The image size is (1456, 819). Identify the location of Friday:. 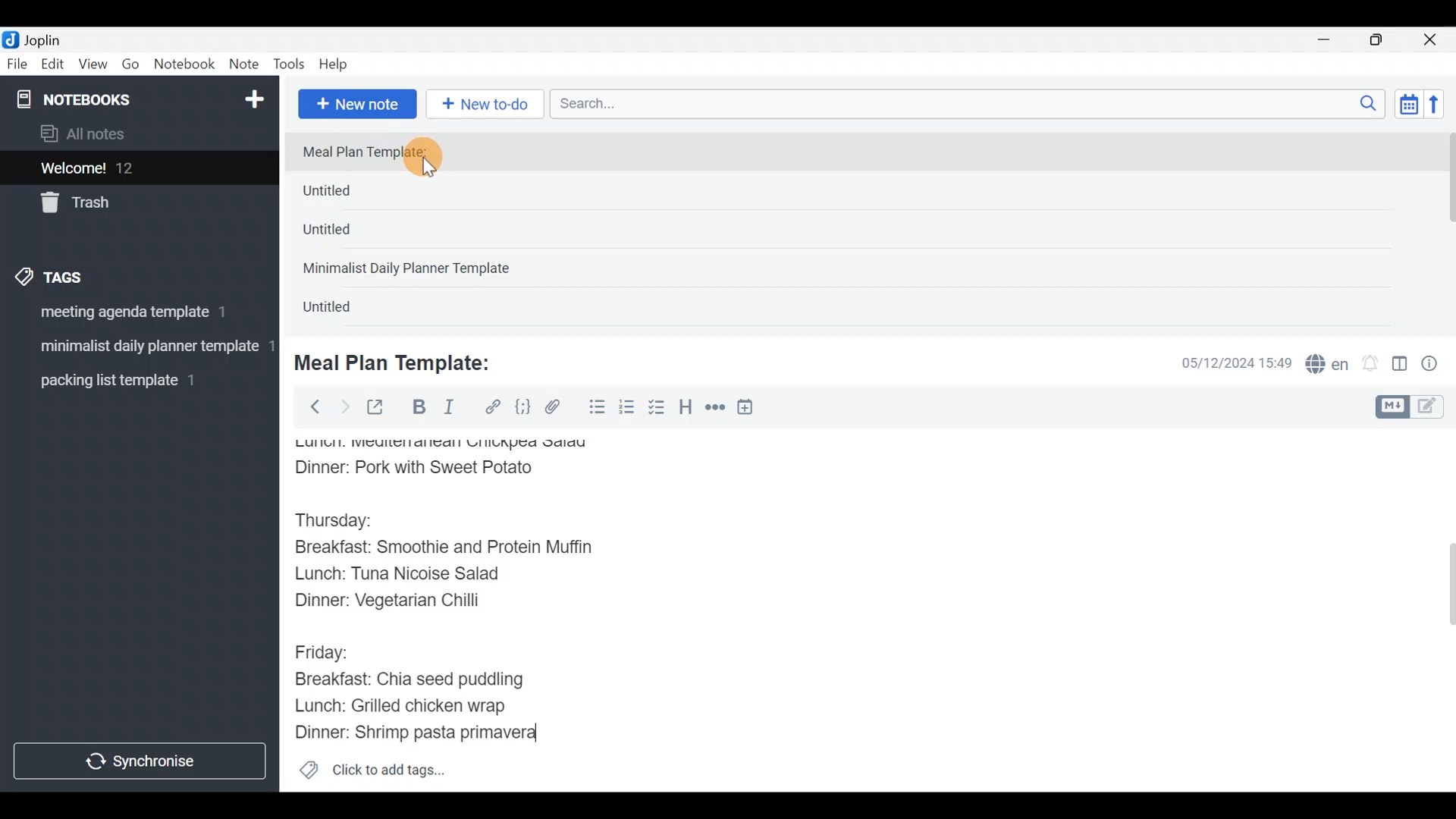
(326, 651).